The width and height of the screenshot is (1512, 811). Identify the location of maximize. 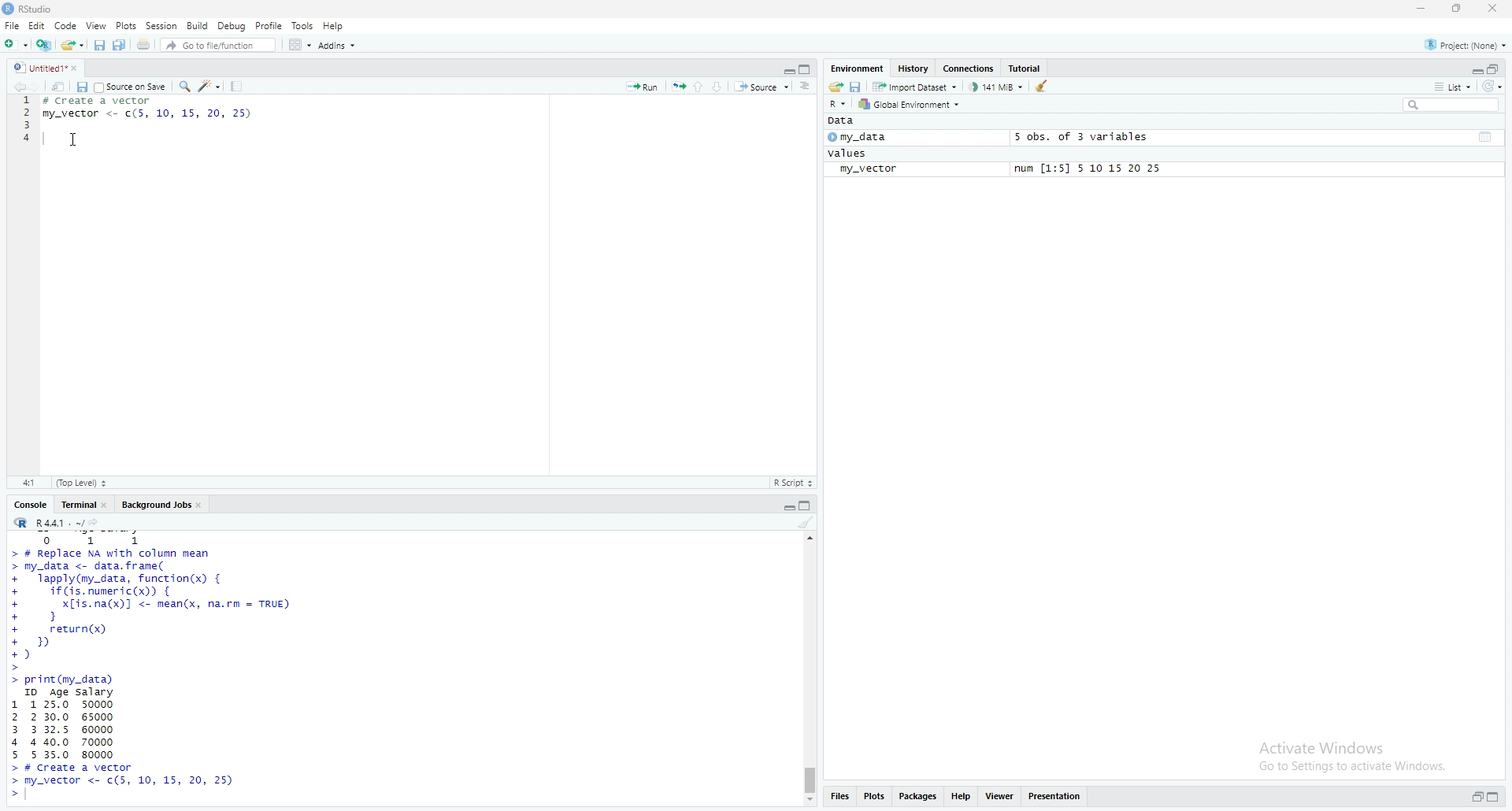
(1458, 8).